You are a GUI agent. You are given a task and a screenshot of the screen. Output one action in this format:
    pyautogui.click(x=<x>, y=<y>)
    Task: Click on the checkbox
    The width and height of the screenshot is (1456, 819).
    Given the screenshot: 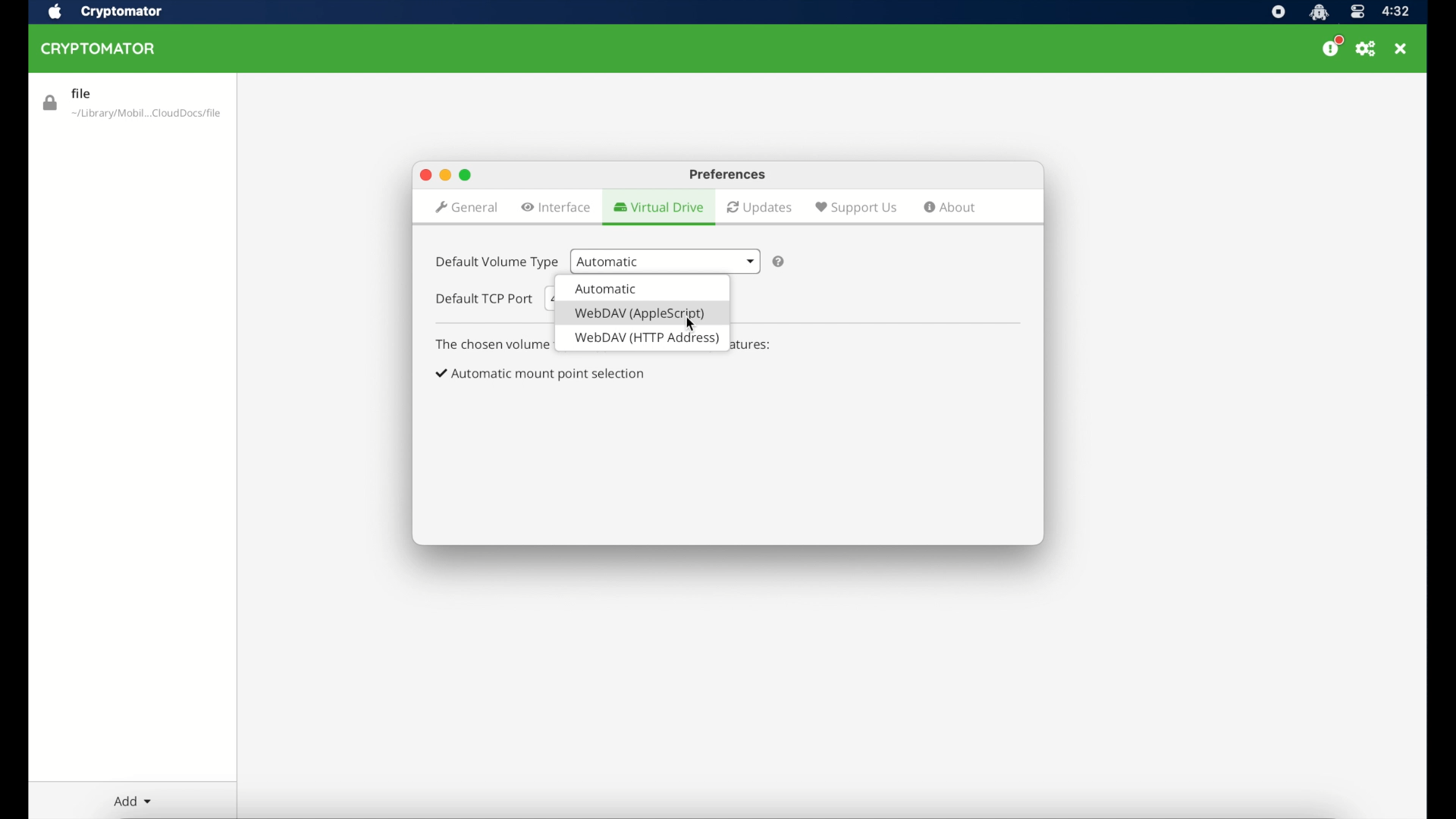 What is the action you would take?
    pyautogui.click(x=541, y=374)
    